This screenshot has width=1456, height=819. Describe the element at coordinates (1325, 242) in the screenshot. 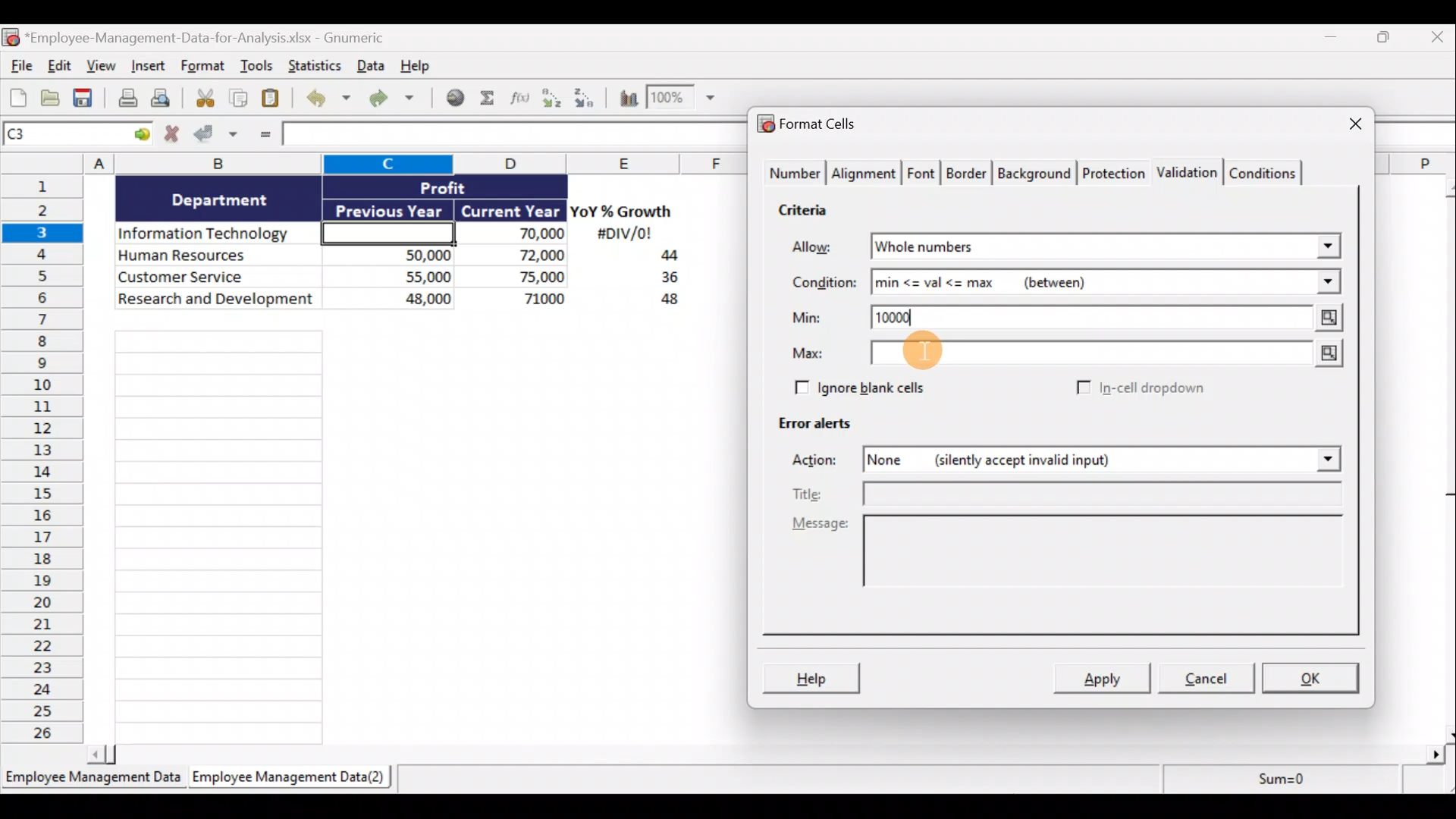

I see `Allow drop down` at that location.